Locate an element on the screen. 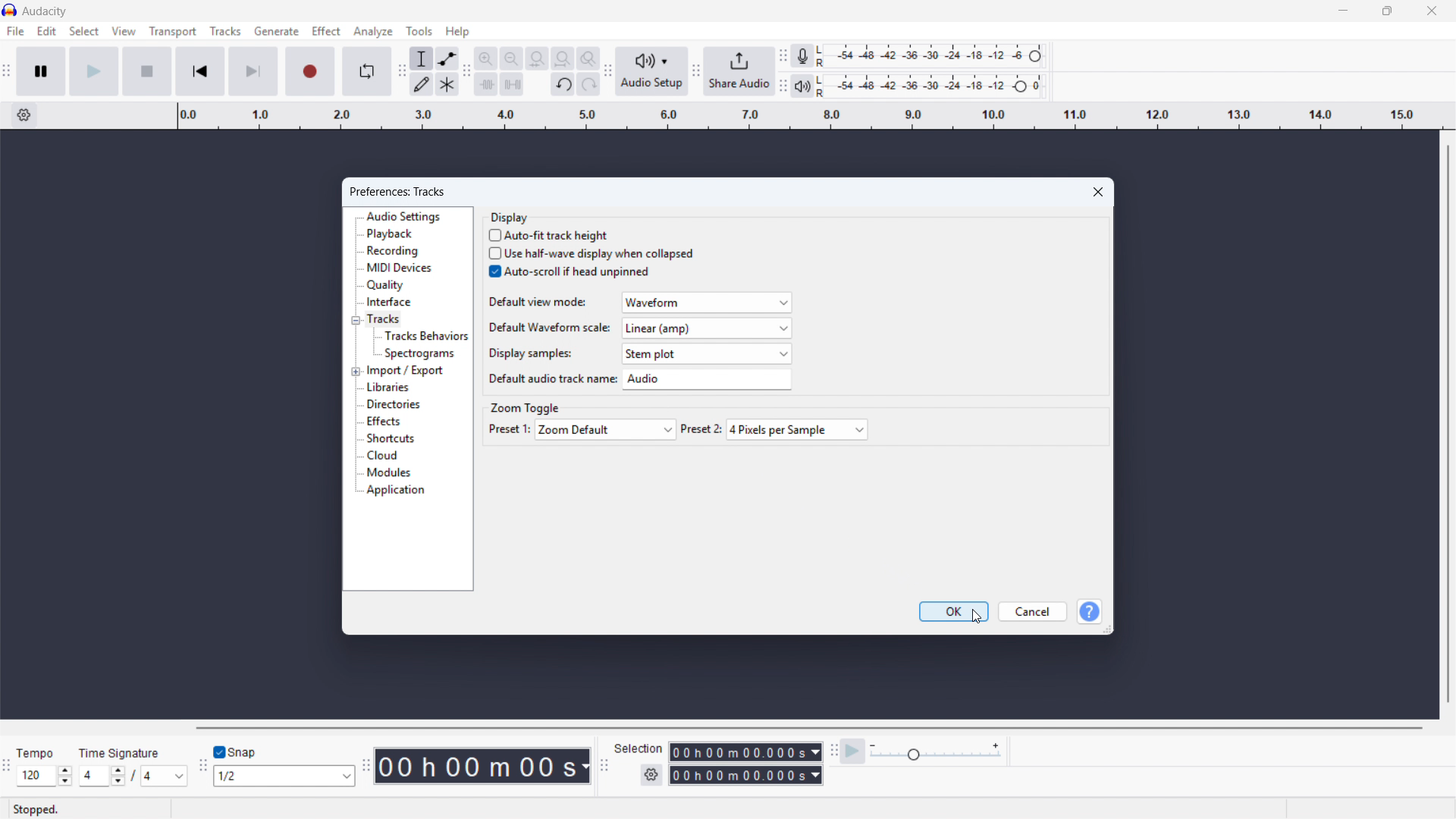 The width and height of the screenshot is (1456, 819). application is located at coordinates (397, 491).